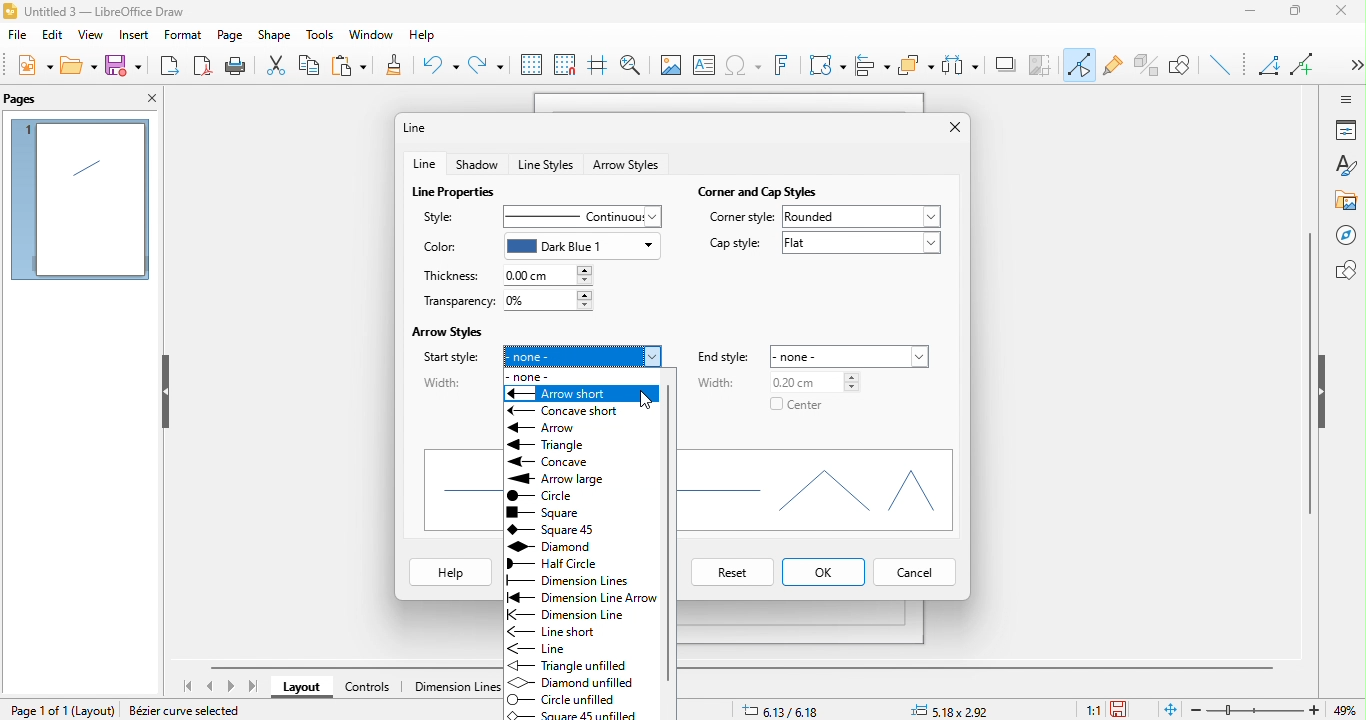  I want to click on center, so click(798, 408).